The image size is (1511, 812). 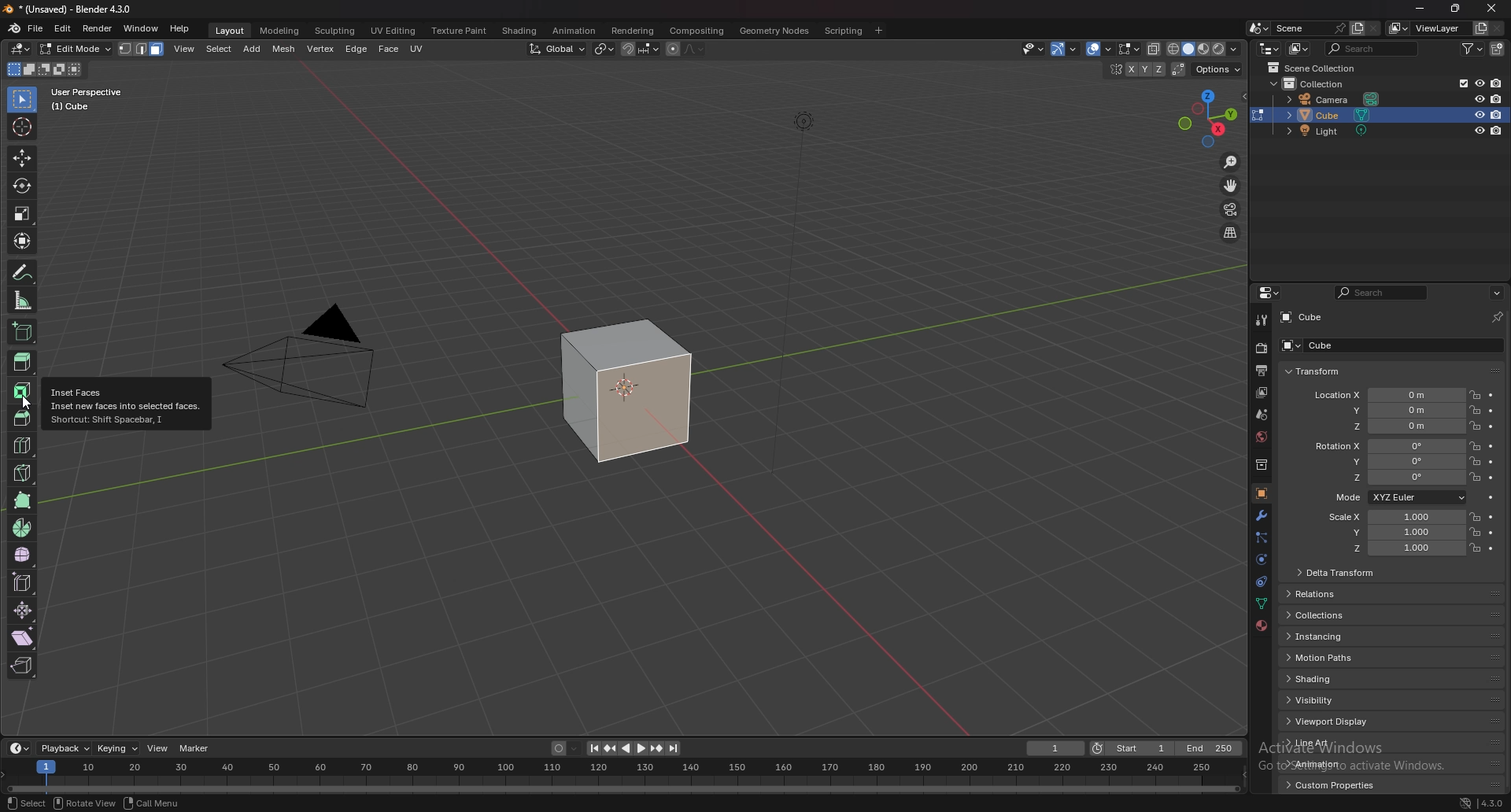 What do you see at coordinates (1466, 803) in the screenshot?
I see `network` at bounding box center [1466, 803].